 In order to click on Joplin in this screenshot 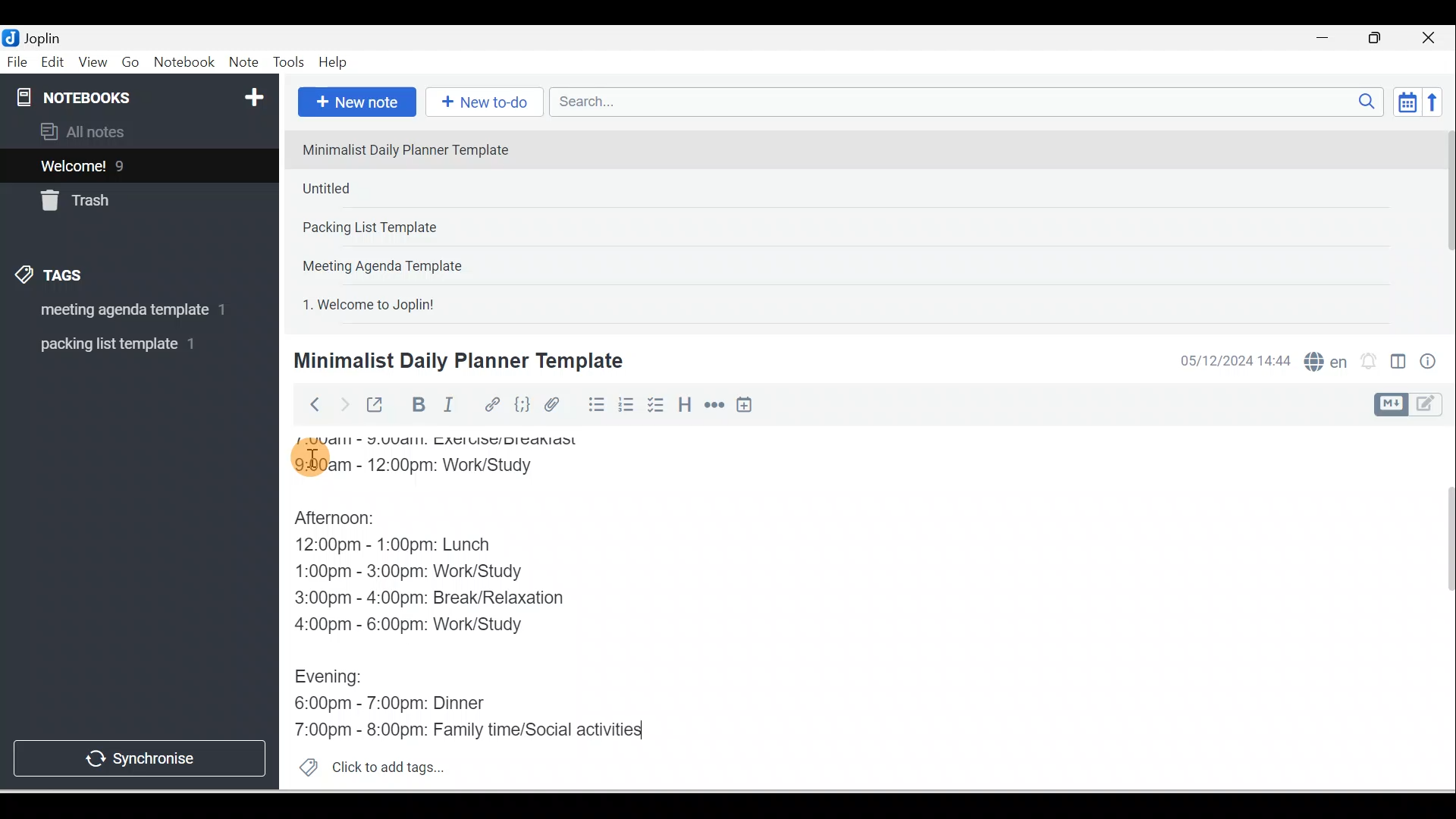, I will do `click(46, 36)`.